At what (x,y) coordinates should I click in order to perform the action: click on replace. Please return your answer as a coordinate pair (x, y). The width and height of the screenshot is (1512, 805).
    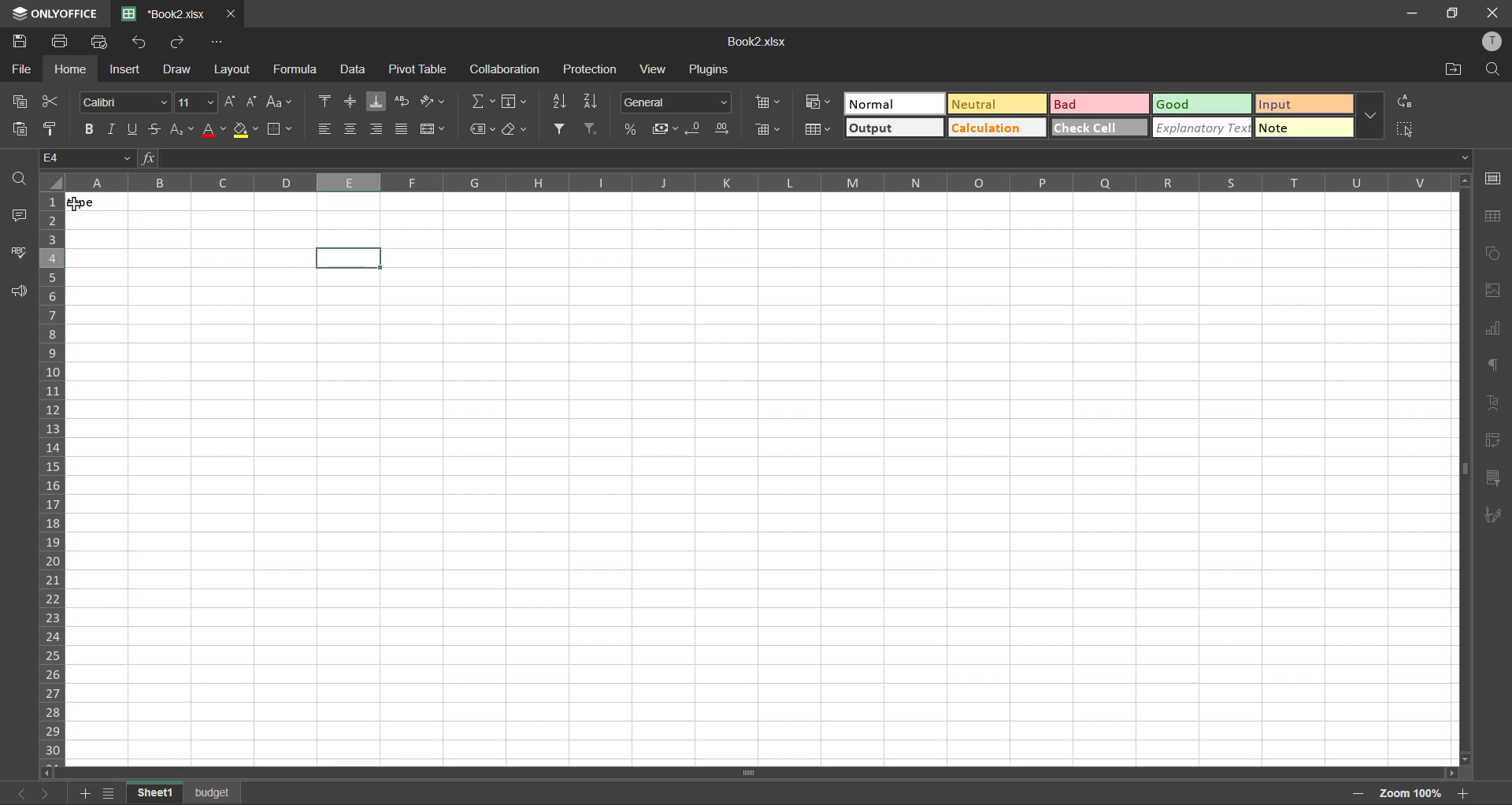
    Looking at the image, I should click on (1406, 102).